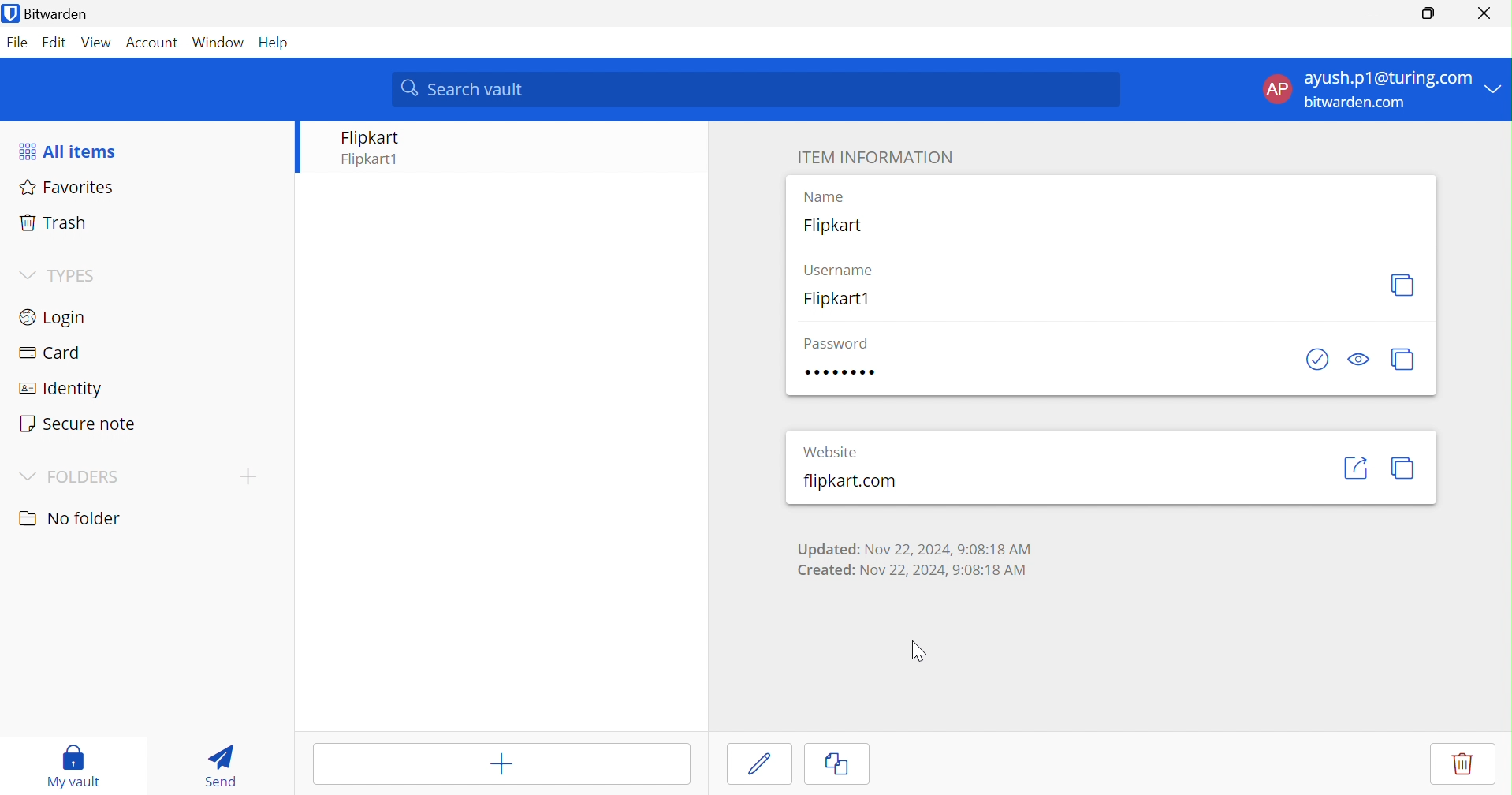 The image size is (1512, 795). What do you see at coordinates (836, 299) in the screenshot?
I see `Flipkart` at bounding box center [836, 299].